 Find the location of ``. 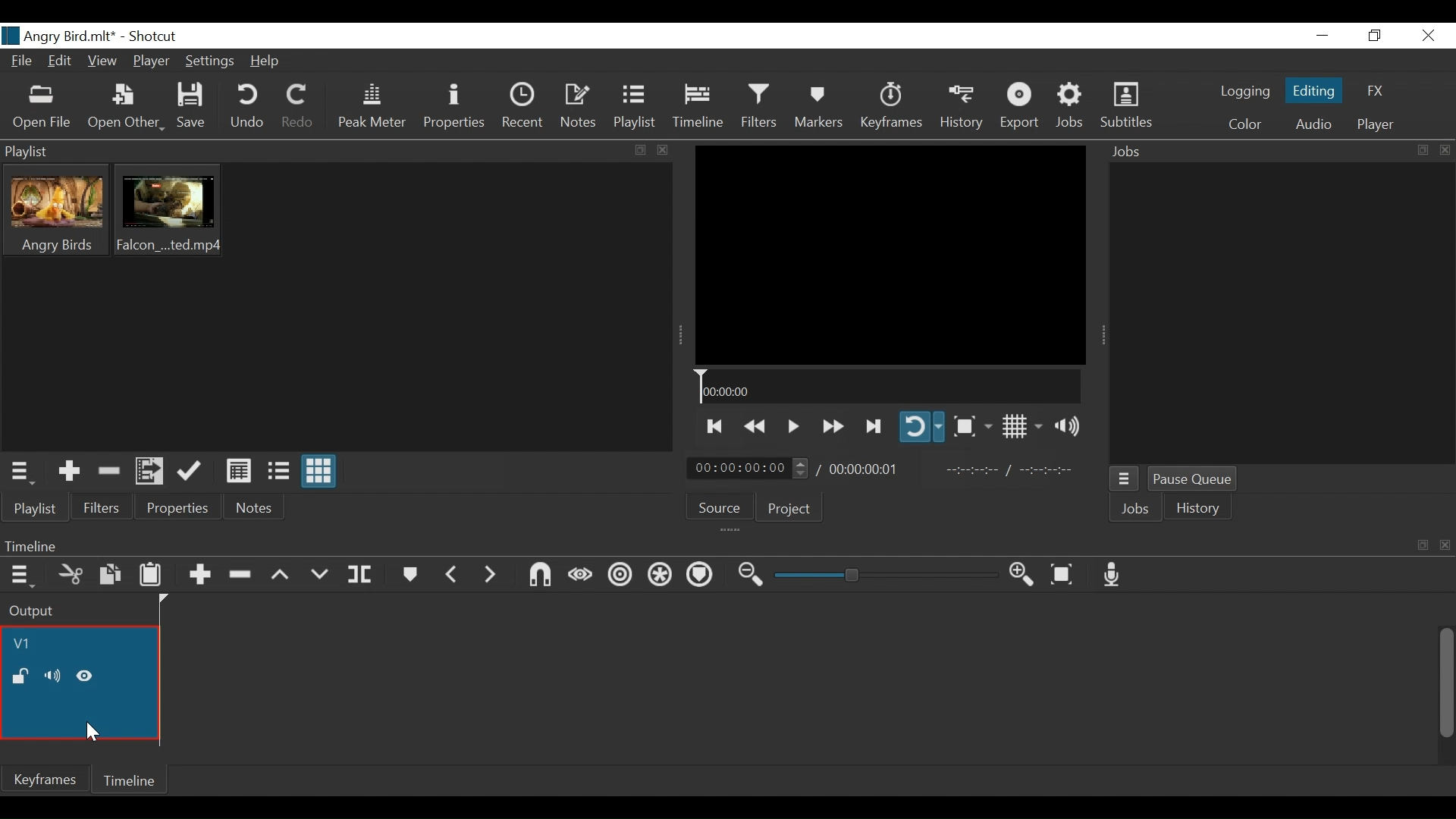

 is located at coordinates (635, 108).